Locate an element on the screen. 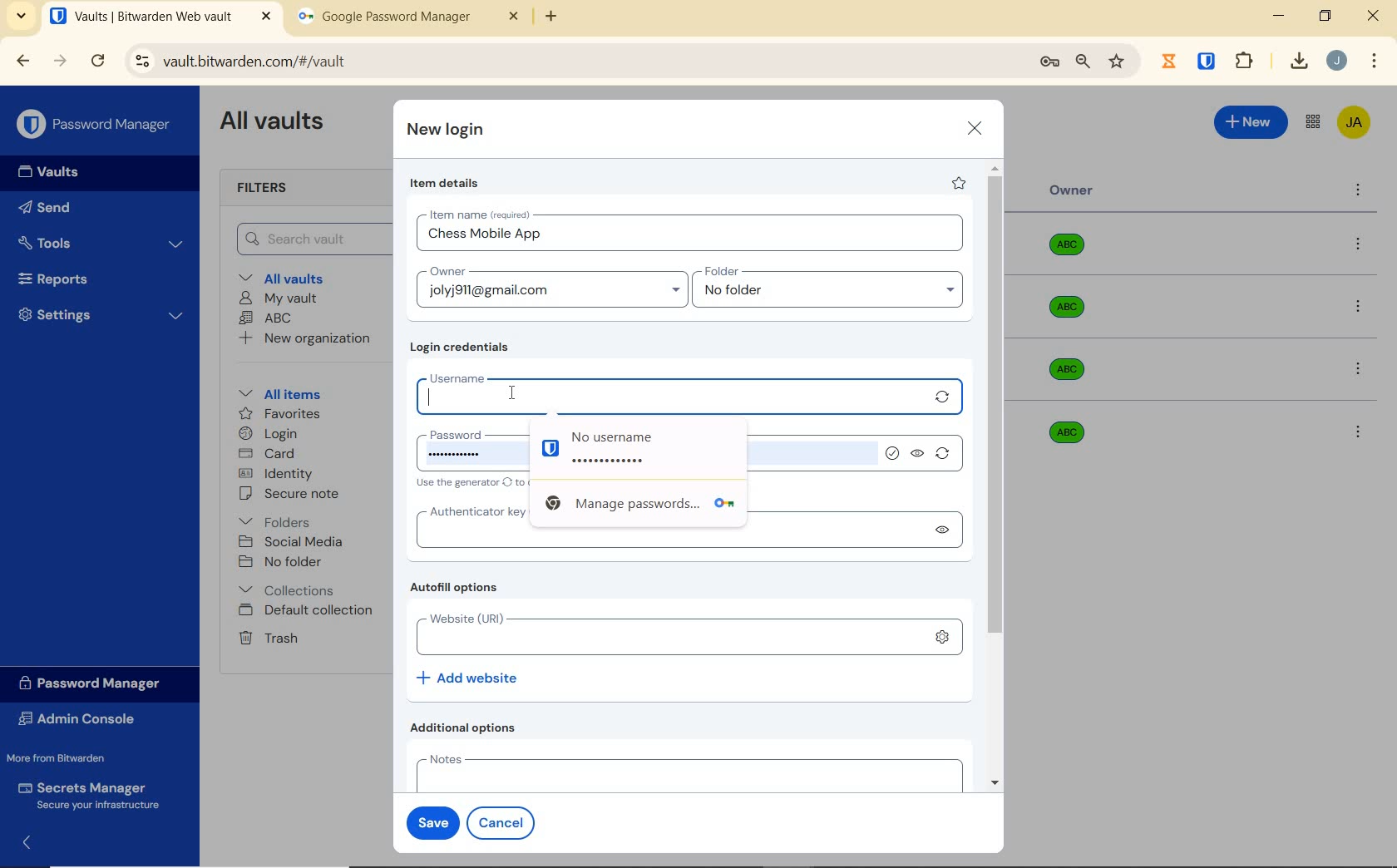 This screenshot has width=1397, height=868. Add website is located at coordinates (469, 677).